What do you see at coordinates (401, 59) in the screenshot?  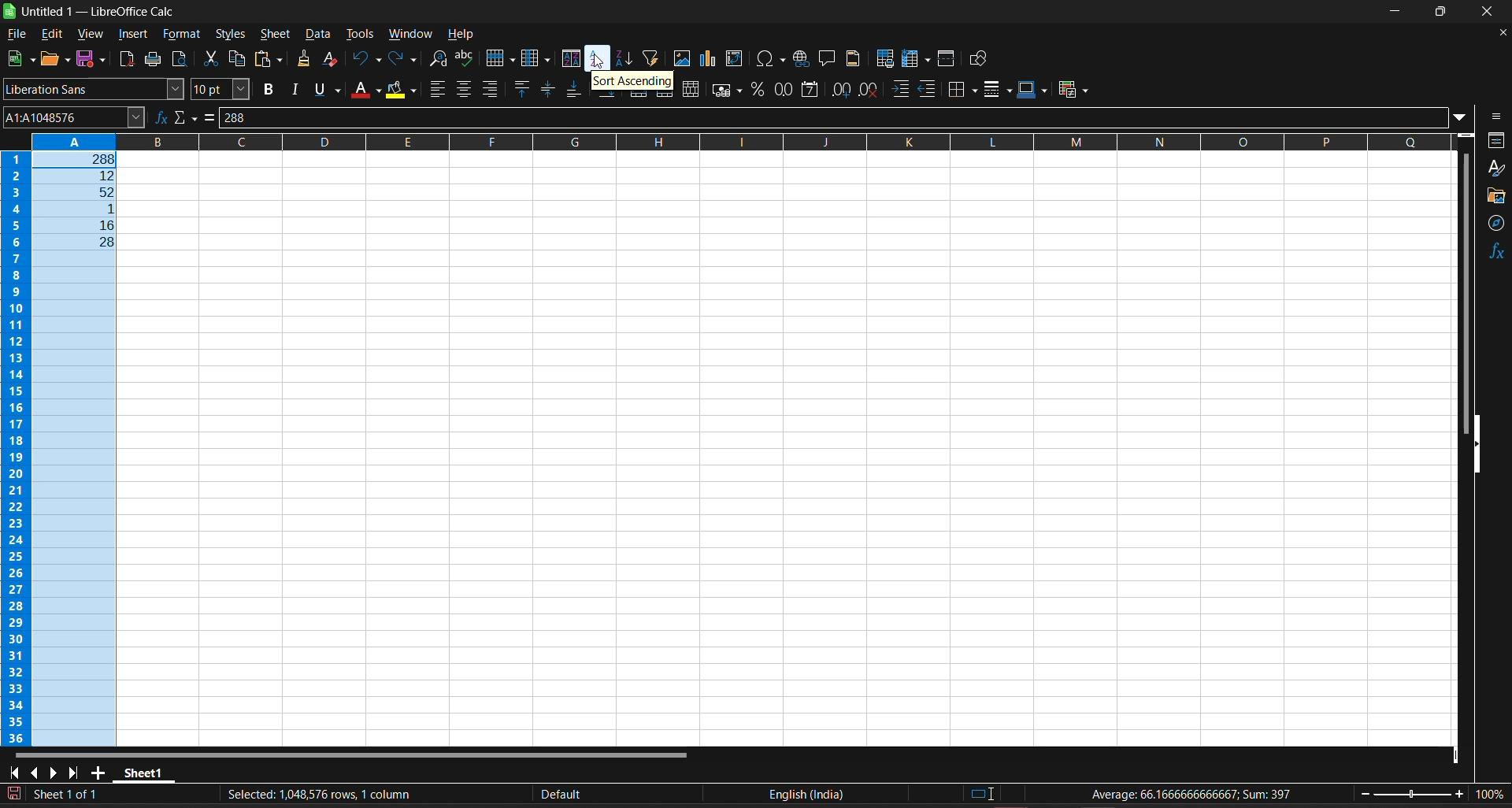 I see `redo` at bounding box center [401, 59].